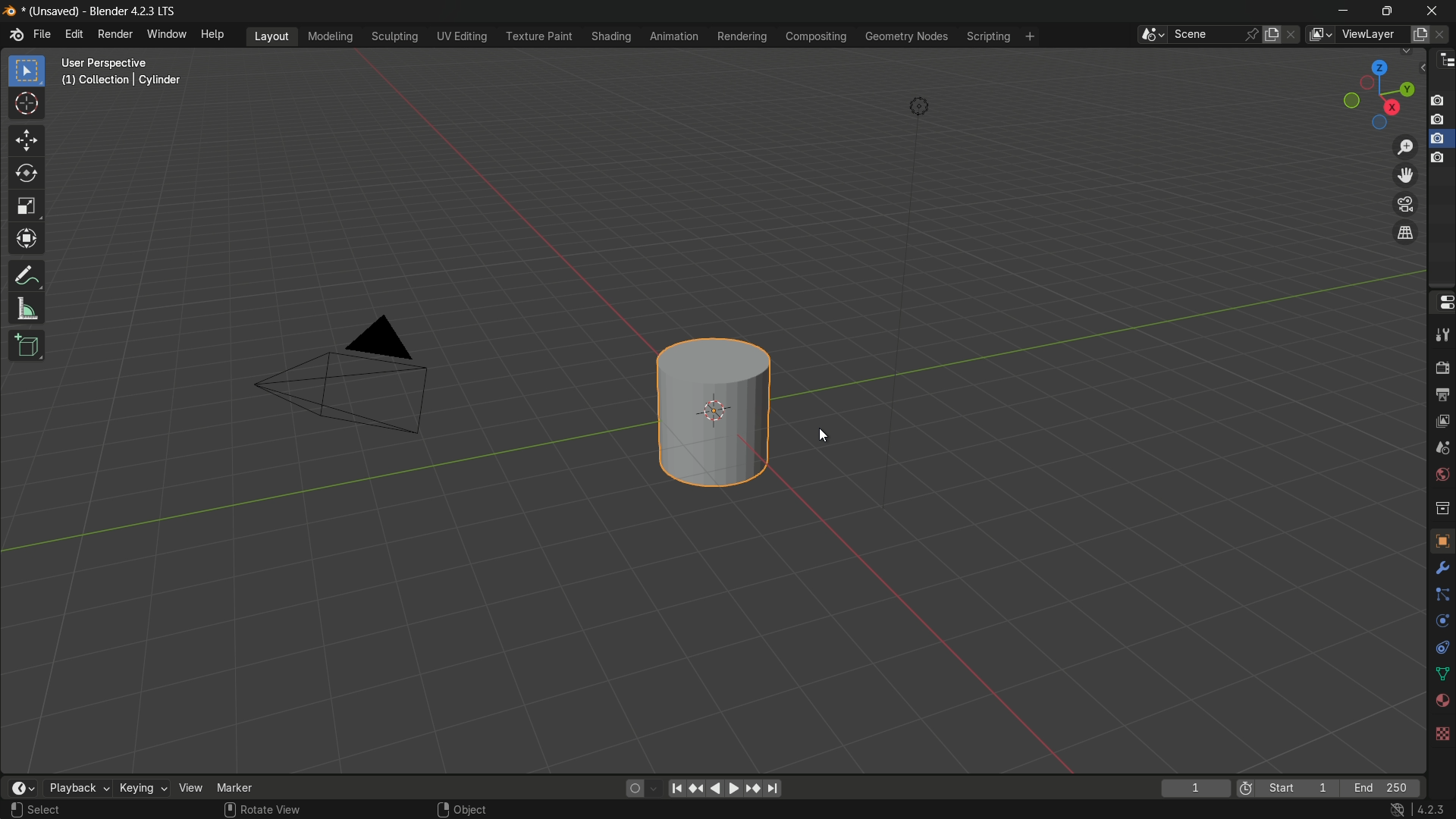  I want to click on annotate, so click(26, 277).